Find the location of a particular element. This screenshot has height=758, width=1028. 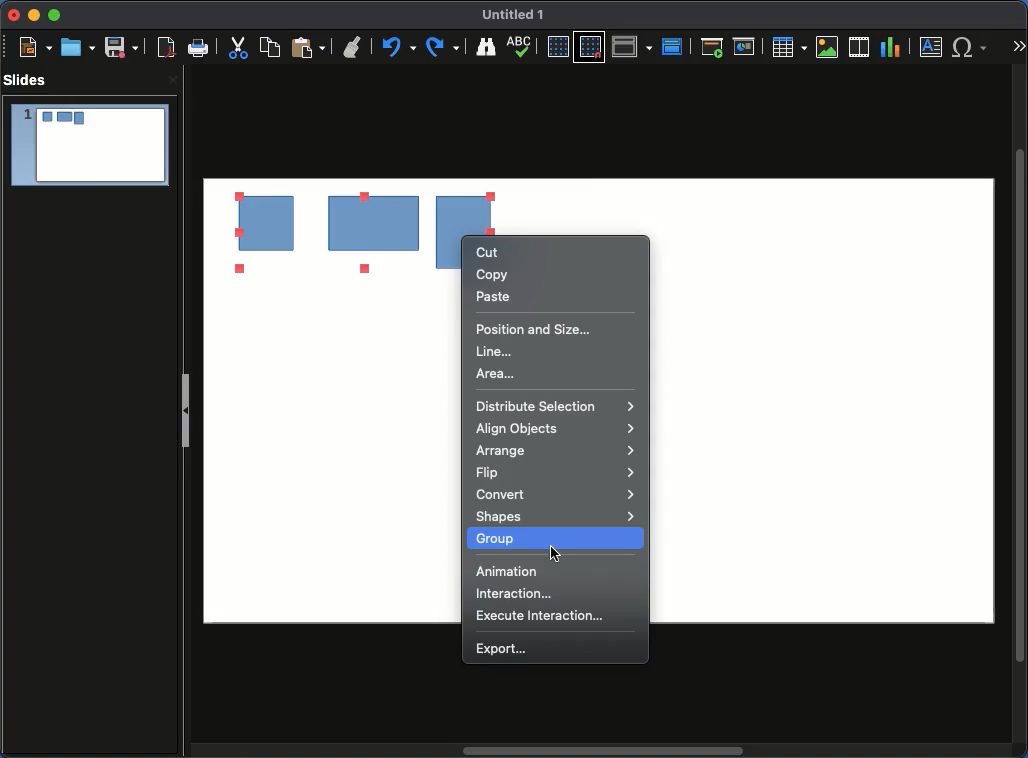

Convert is located at coordinates (557, 496).